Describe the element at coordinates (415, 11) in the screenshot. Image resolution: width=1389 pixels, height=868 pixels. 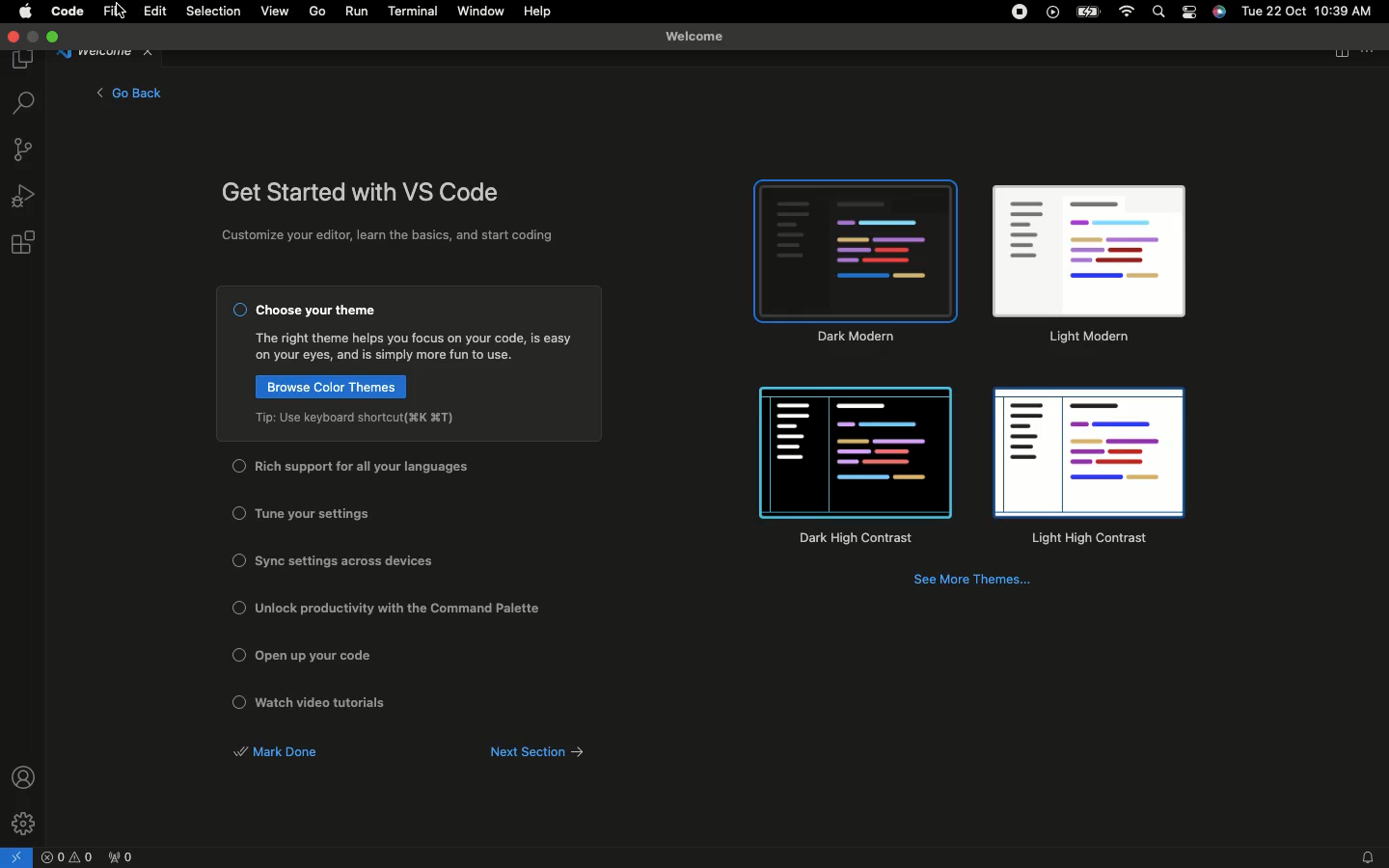
I see `Terminal` at that location.